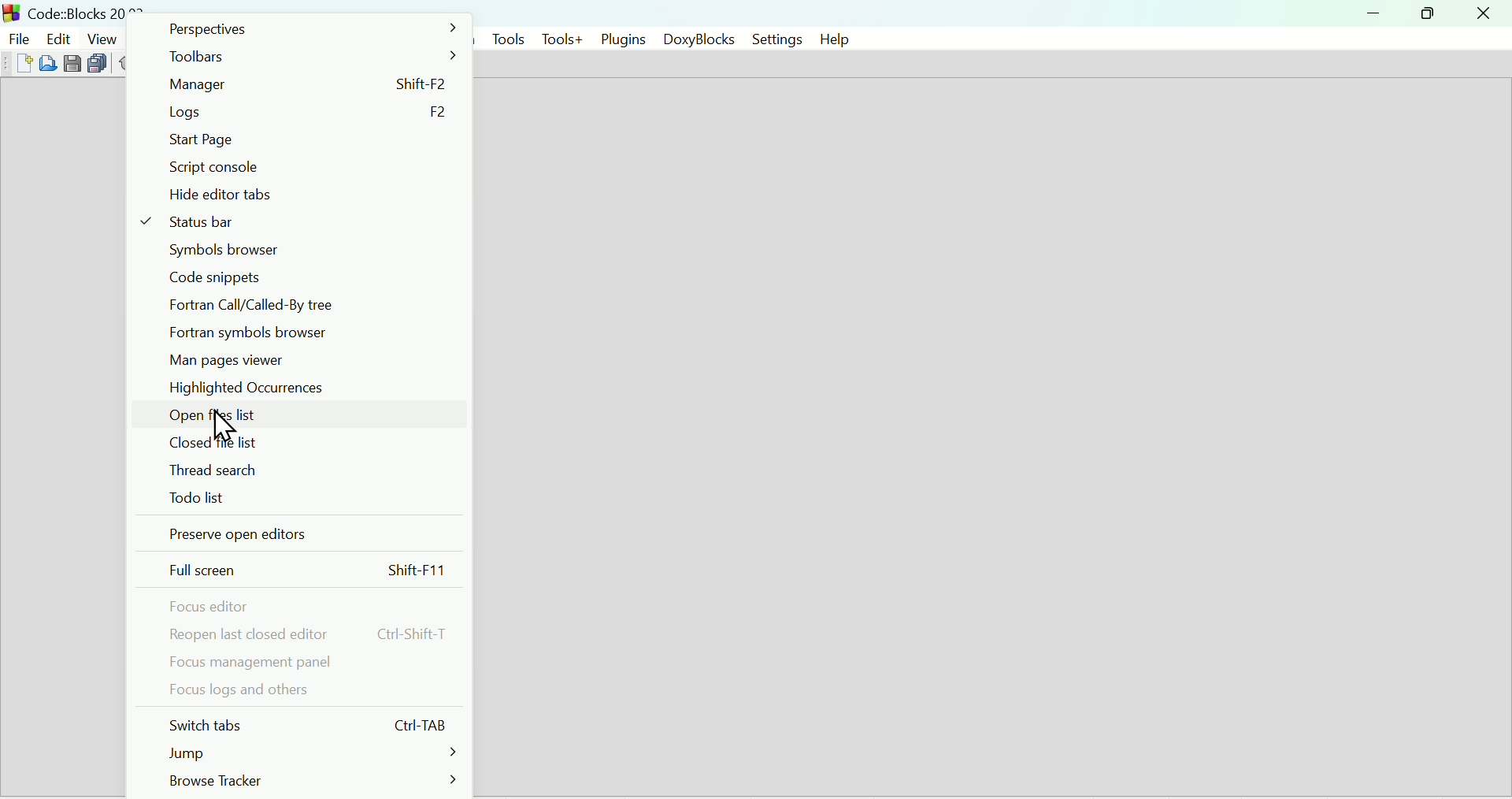 The width and height of the screenshot is (1512, 799). What do you see at coordinates (72, 63) in the screenshot?
I see `Save` at bounding box center [72, 63].